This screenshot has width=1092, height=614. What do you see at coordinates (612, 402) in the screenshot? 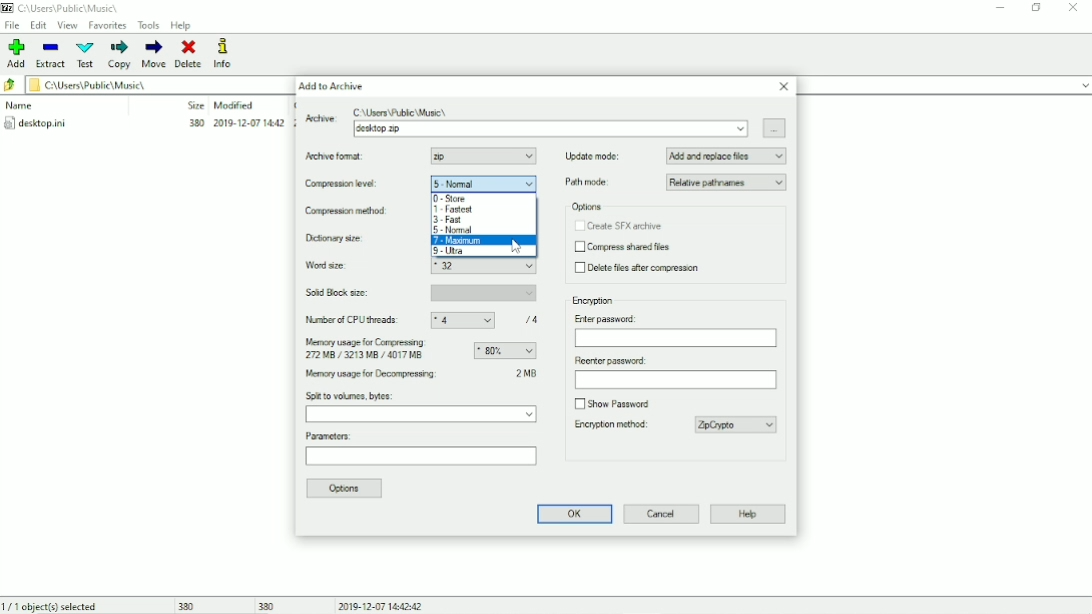
I see `Show password` at bounding box center [612, 402].